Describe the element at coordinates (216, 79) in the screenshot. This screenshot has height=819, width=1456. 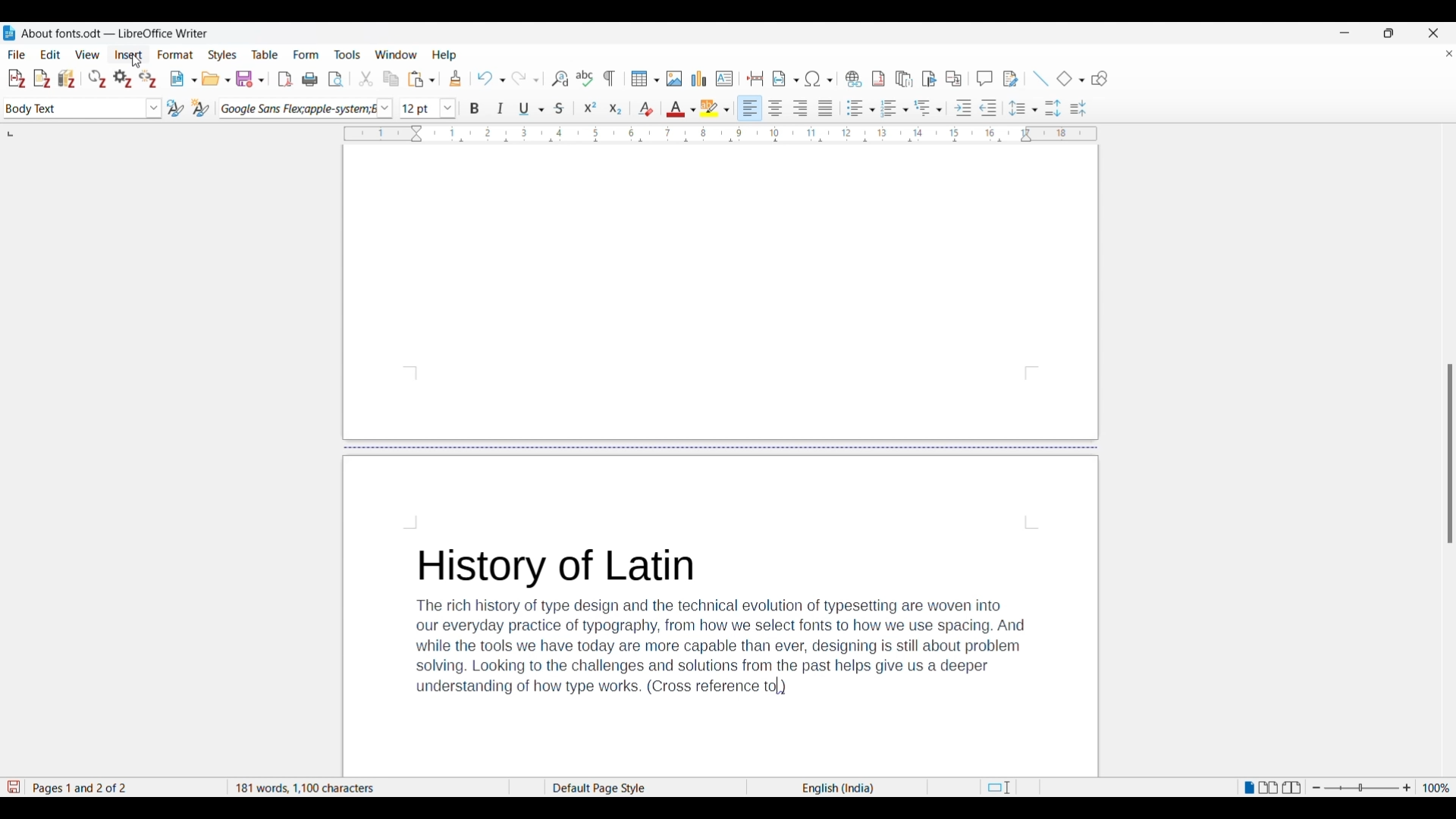
I see `Open options` at that location.